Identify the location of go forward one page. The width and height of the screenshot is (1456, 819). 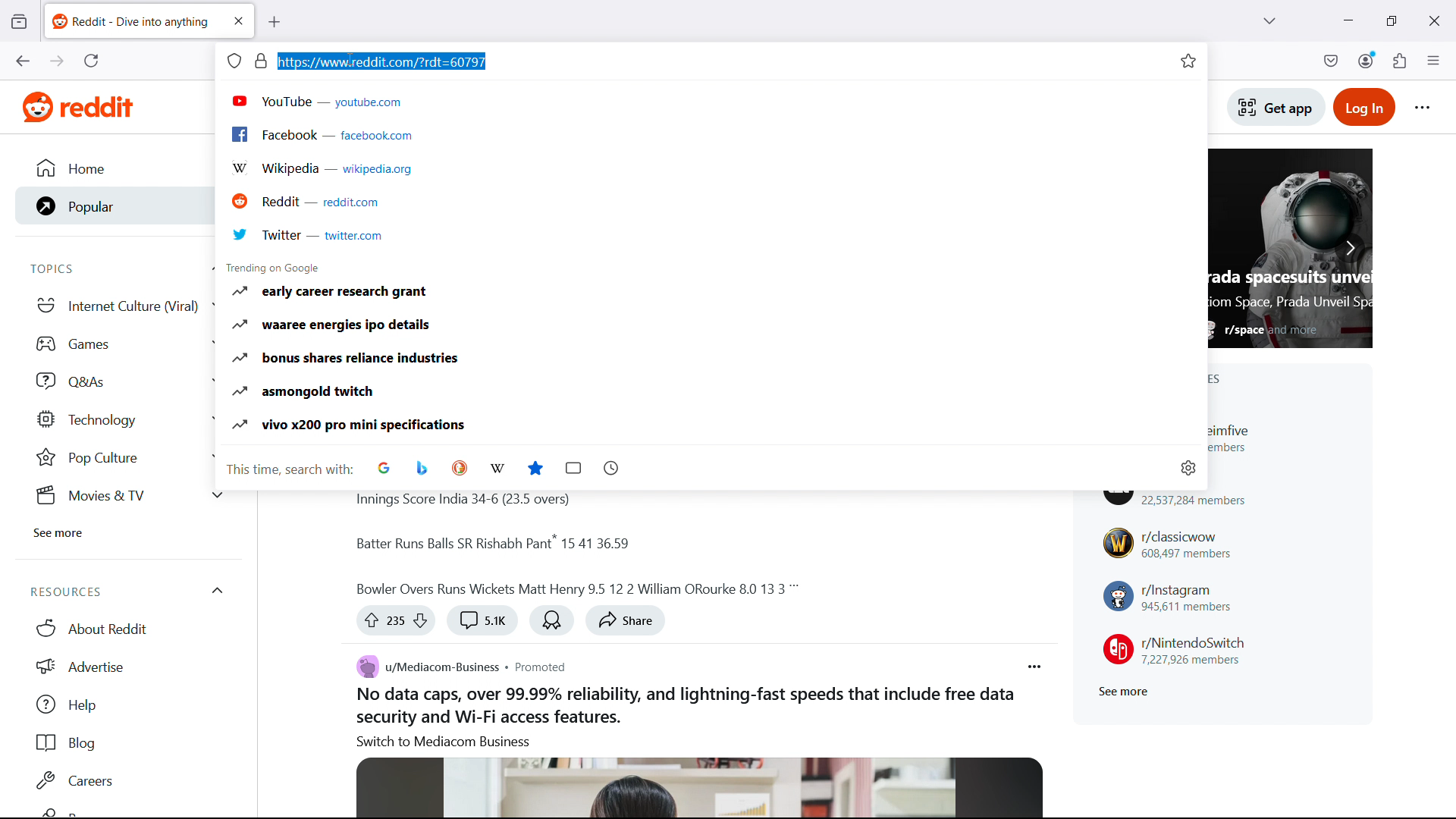
(57, 60).